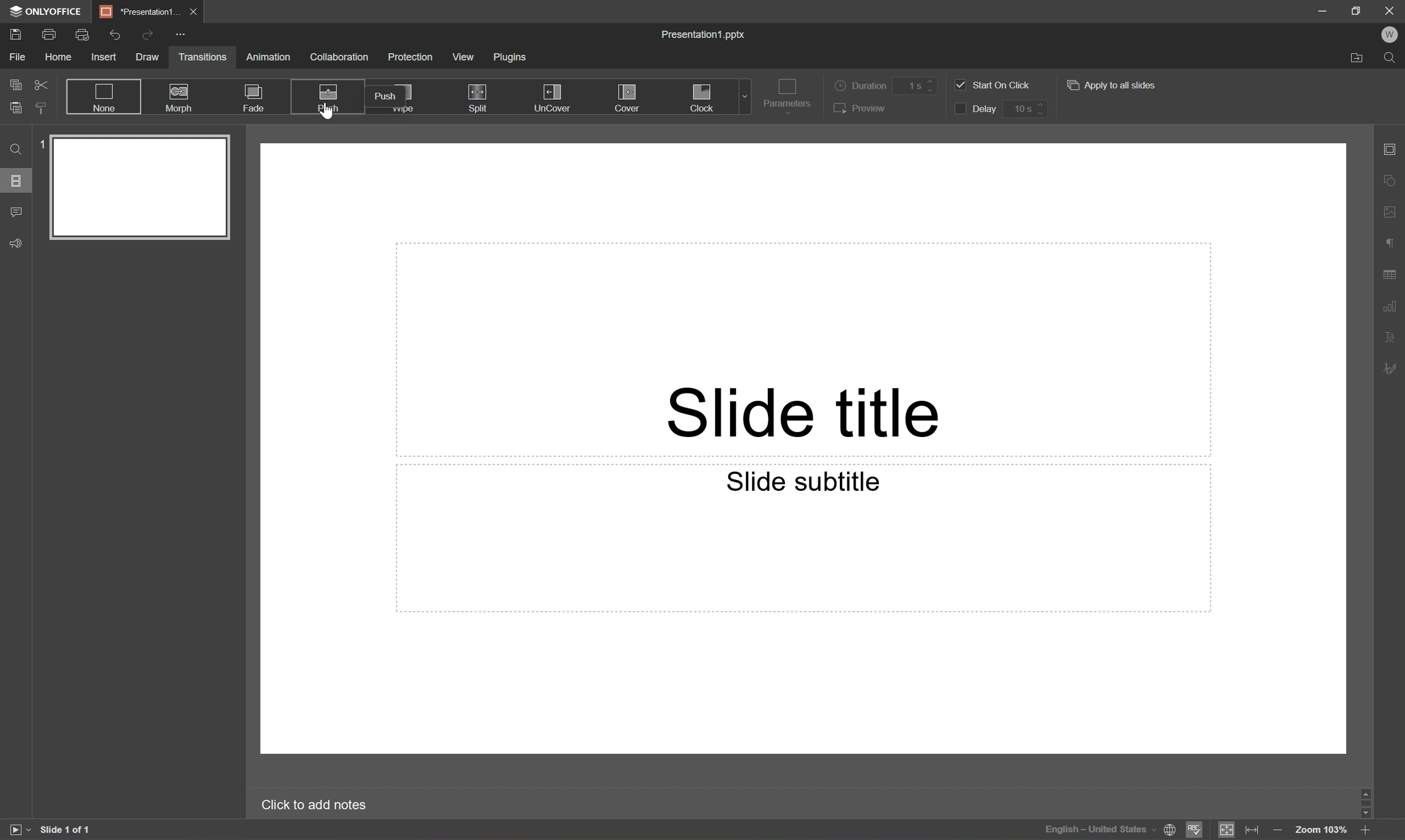 The height and width of the screenshot is (840, 1405). What do you see at coordinates (409, 57) in the screenshot?
I see `Protection` at bounding box center [409, 57].